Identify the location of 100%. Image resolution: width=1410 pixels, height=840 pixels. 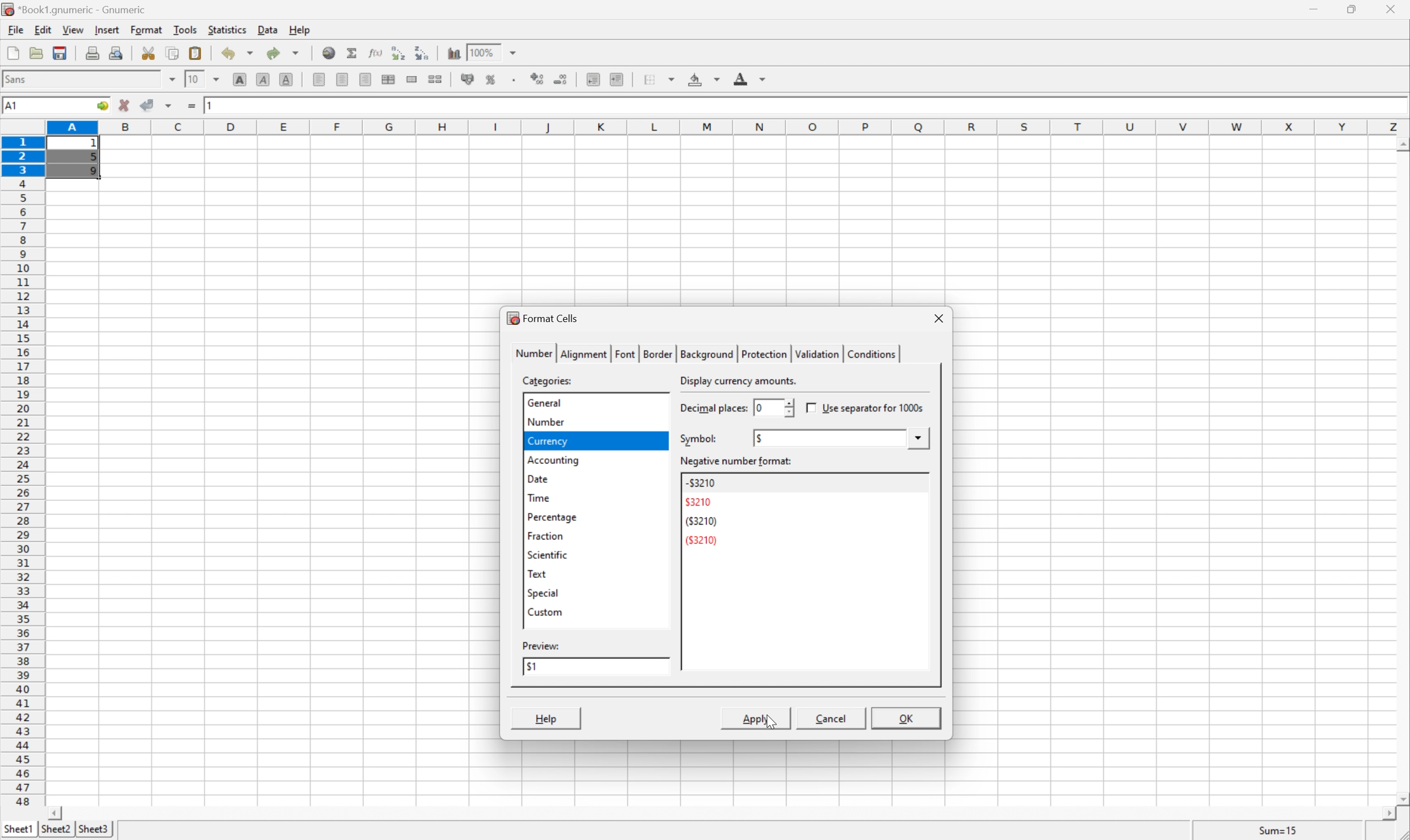
(481, 52).